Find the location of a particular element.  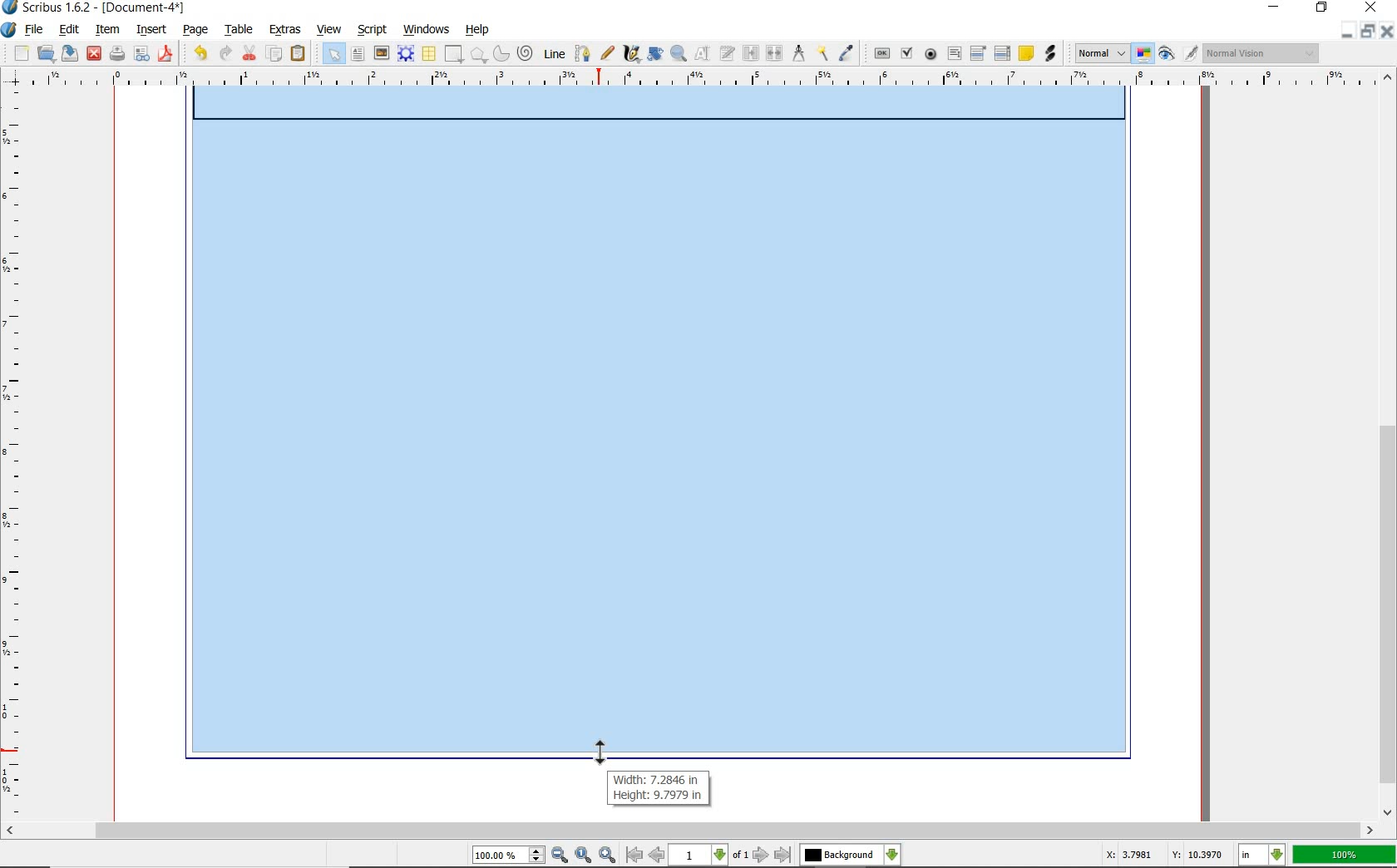

help is located at coordinates (479, 31).